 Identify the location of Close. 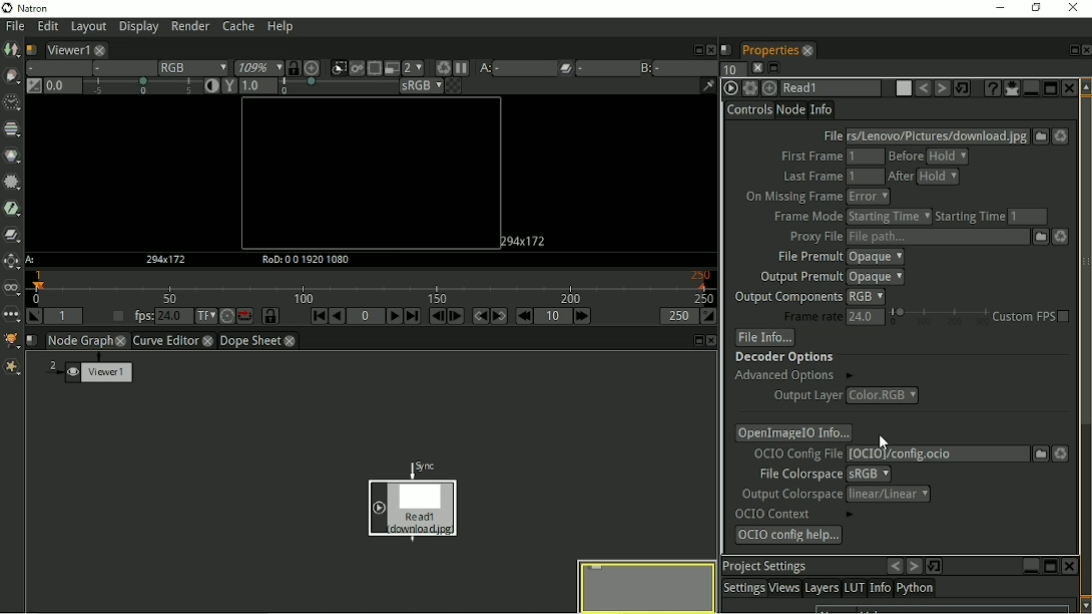
(1071, 89).